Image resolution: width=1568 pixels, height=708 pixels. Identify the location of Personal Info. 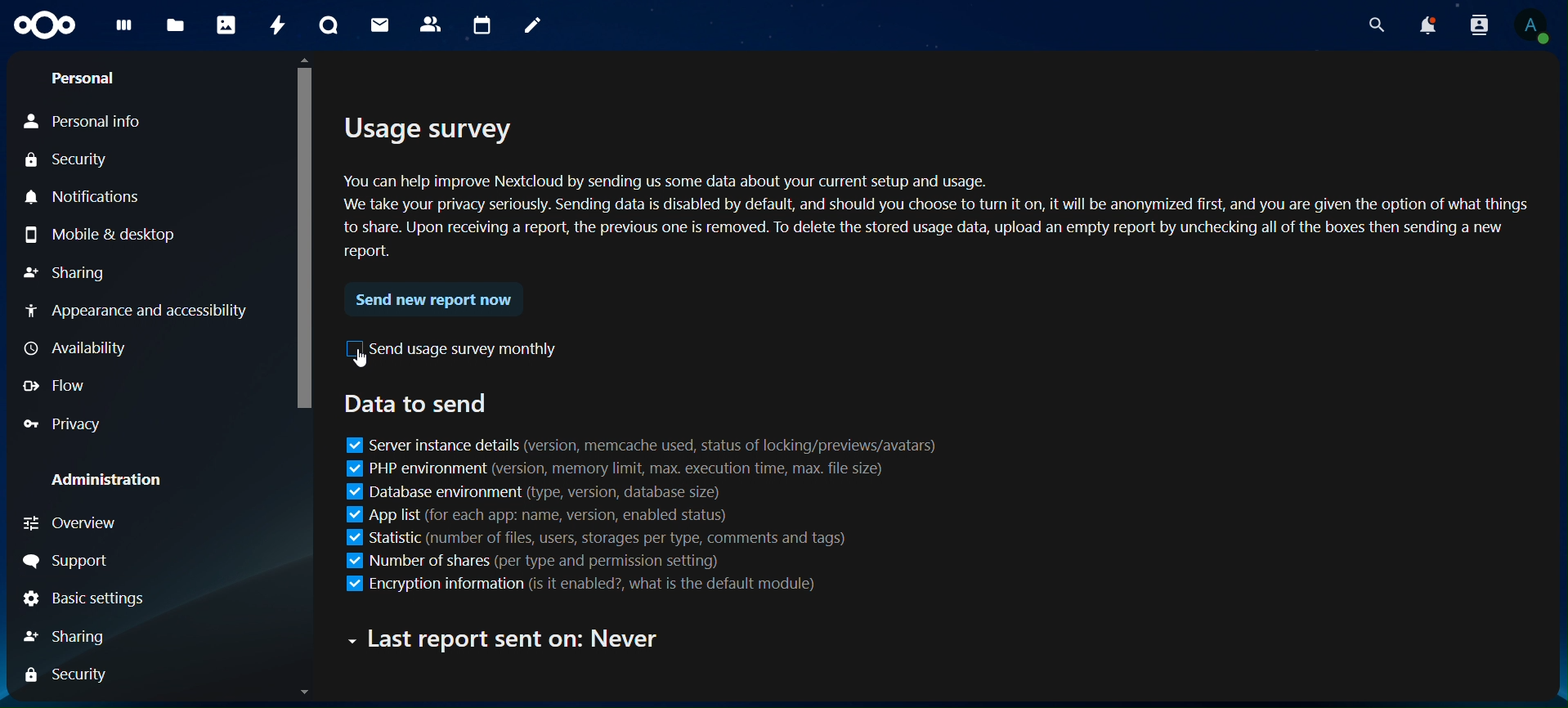
(109, 123).